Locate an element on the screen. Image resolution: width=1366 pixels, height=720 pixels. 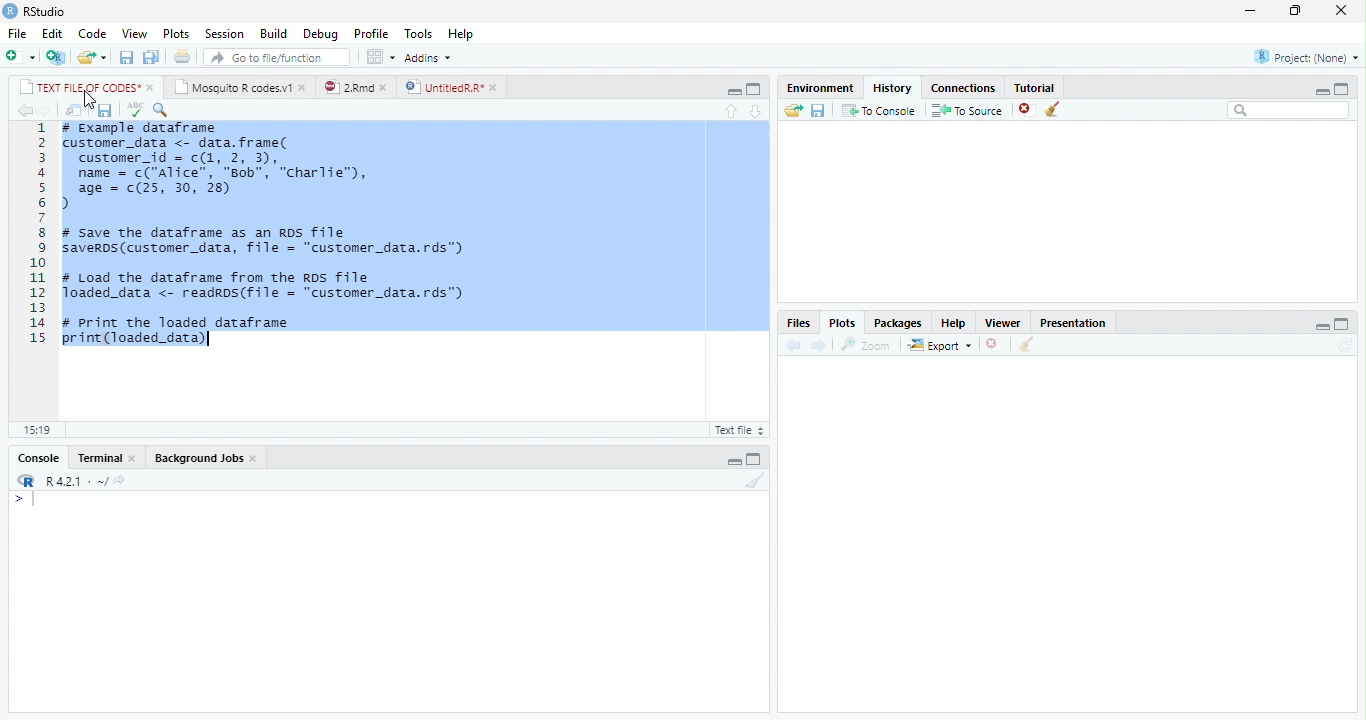
forward is located at coordinates (46, 111).